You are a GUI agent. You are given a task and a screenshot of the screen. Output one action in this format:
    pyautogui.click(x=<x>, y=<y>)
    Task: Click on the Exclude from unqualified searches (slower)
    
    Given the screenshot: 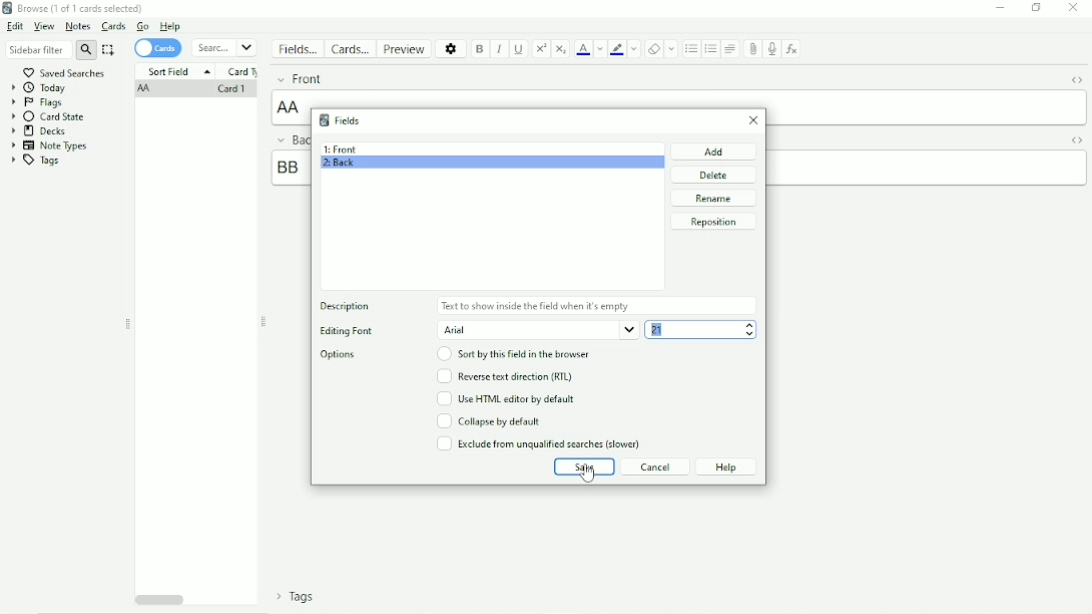 What is the action you would take?
    pyautogui.click(x=539, y=443)
    